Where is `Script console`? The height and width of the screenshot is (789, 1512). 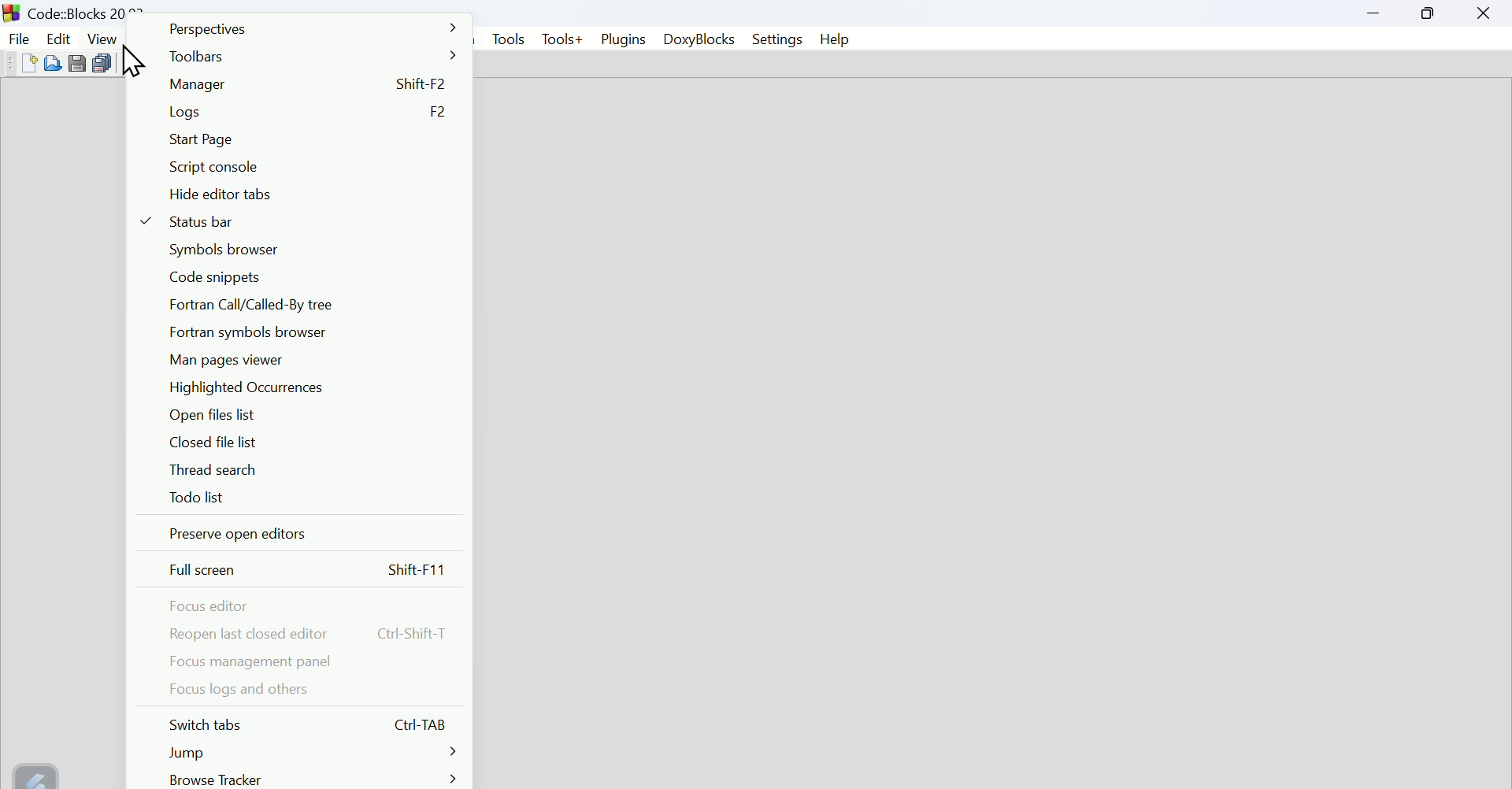 Script console is located at coordinates (213, 169).